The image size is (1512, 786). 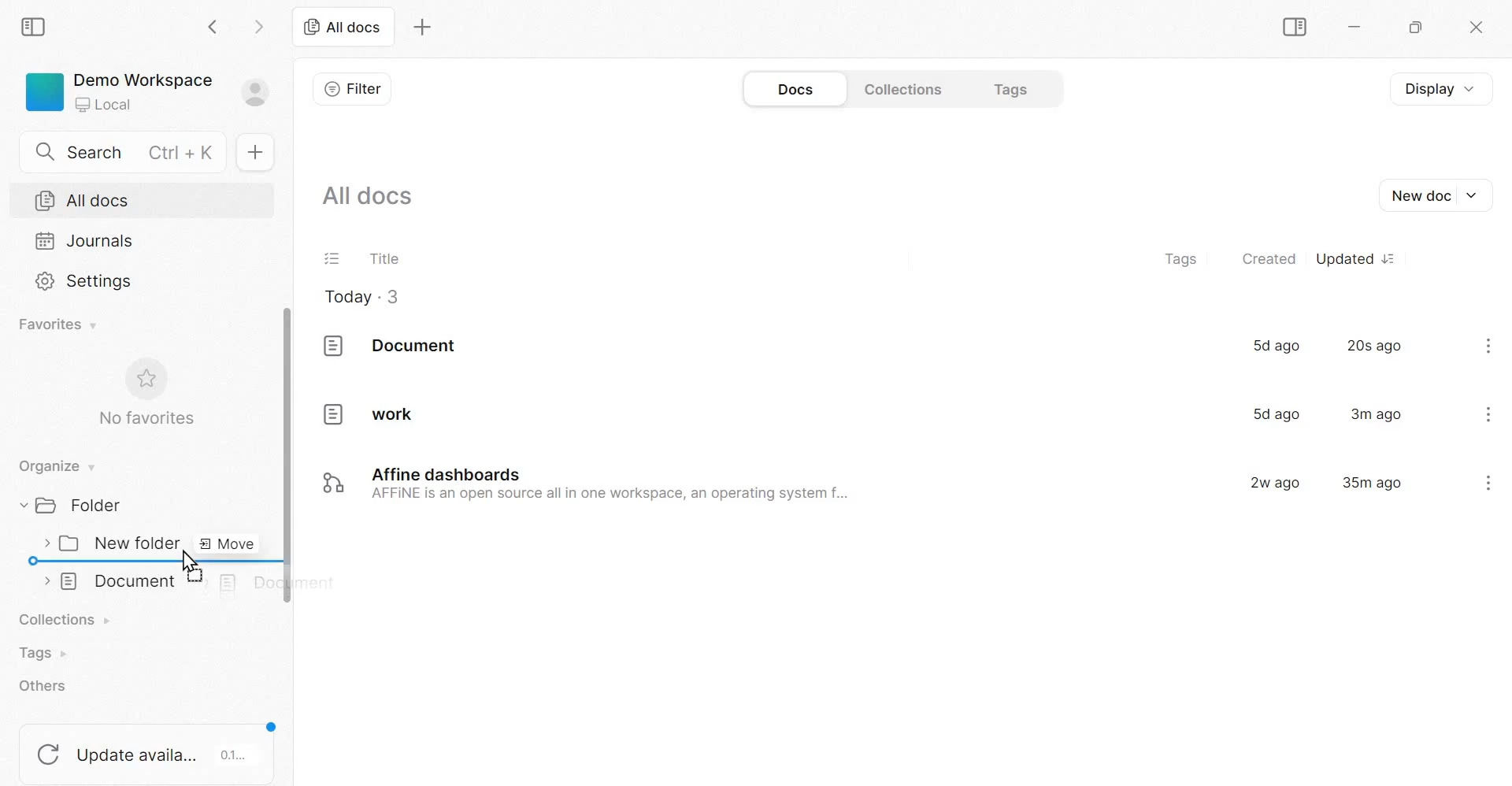 What do you see at coordinates (1490, 413) in the screenshot?
I see `kebab menu` at bounding box center [1490, 413].